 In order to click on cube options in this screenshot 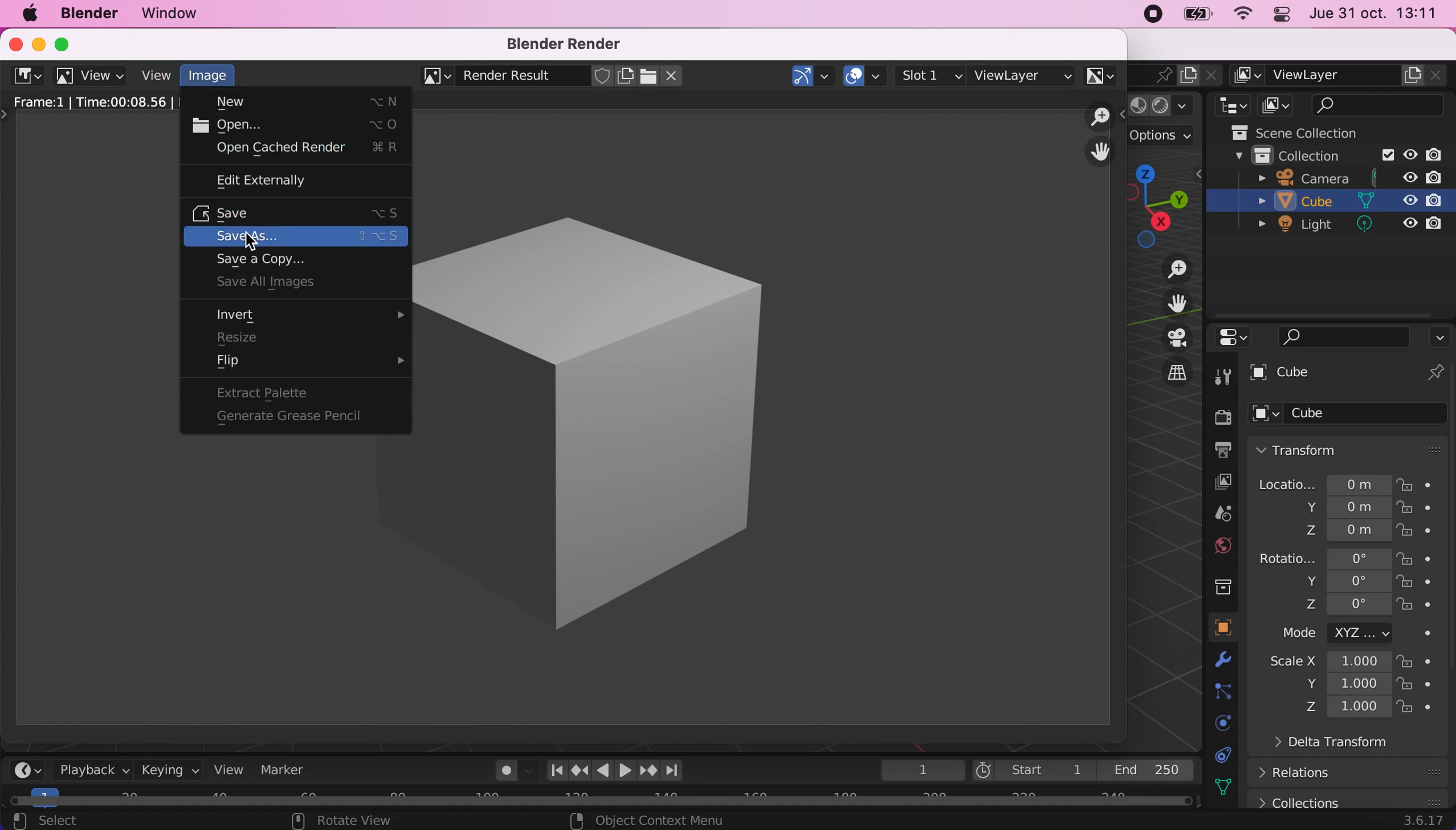, I will do `click(1354, 414)`.